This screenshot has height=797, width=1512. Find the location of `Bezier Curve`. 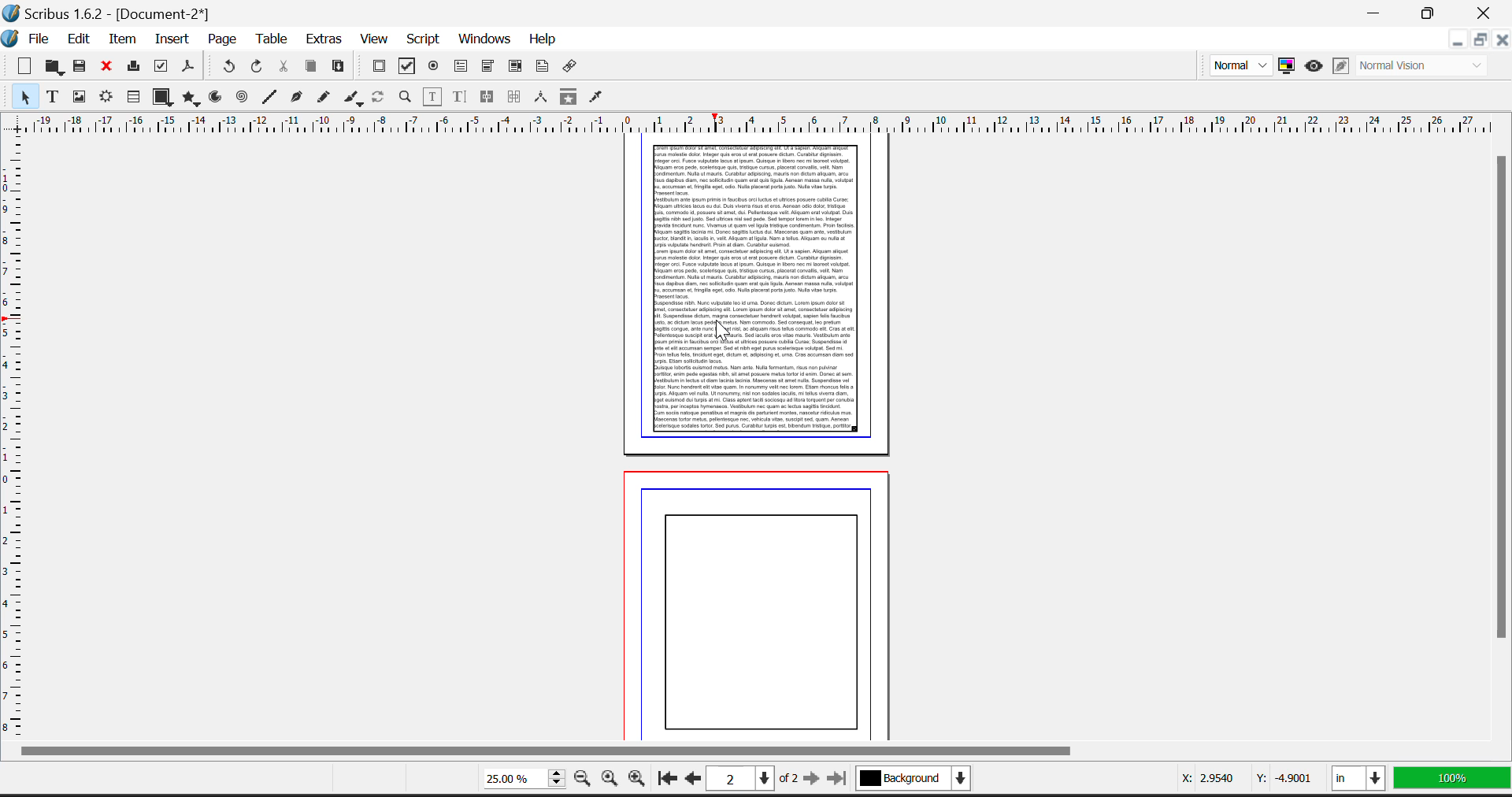

Bezier Curve is located at coordinates (295, 98).